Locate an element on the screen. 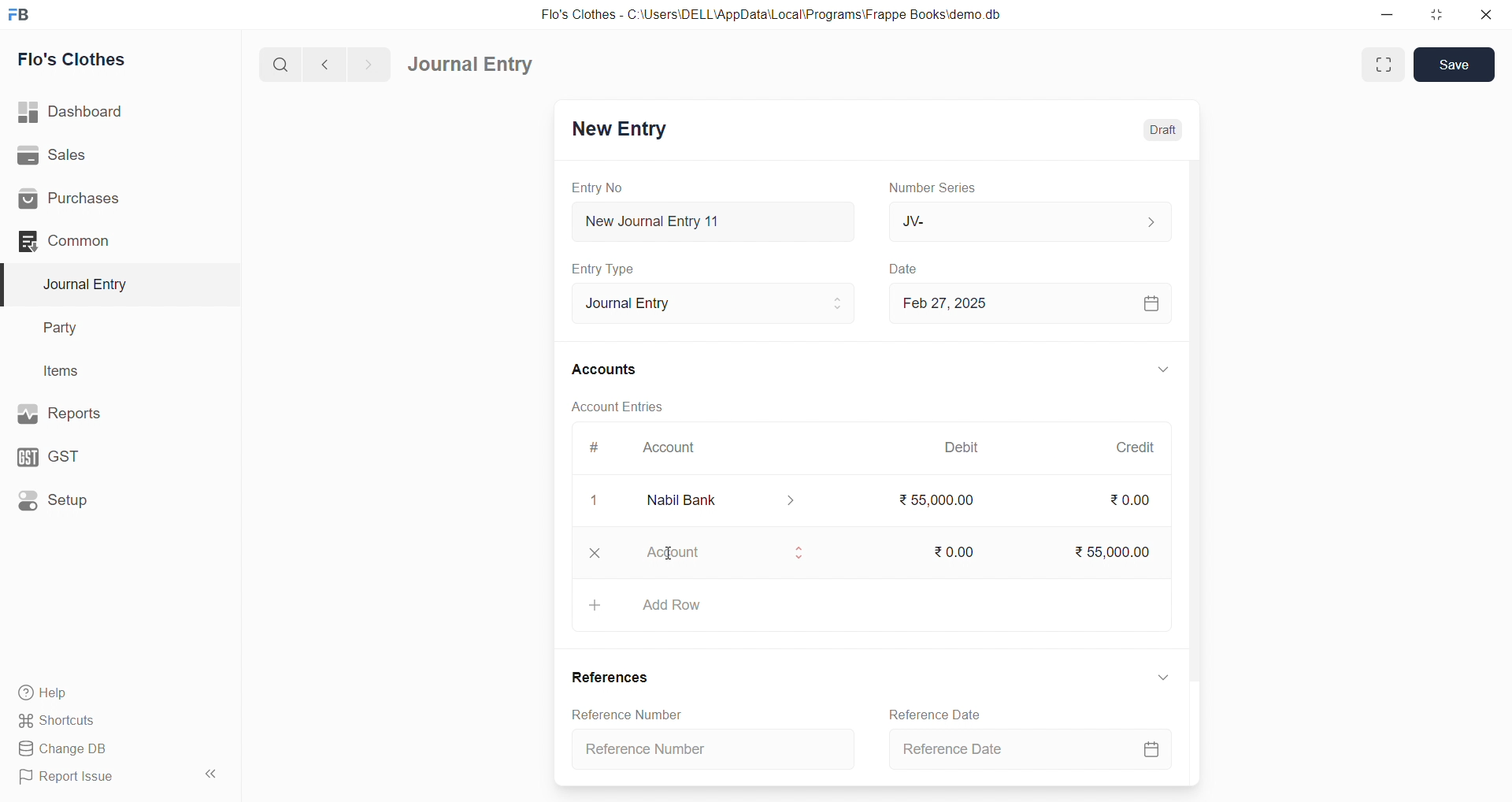 This screenshot has width=1512, height=802. Purchases is located at coordinates (95, 200).